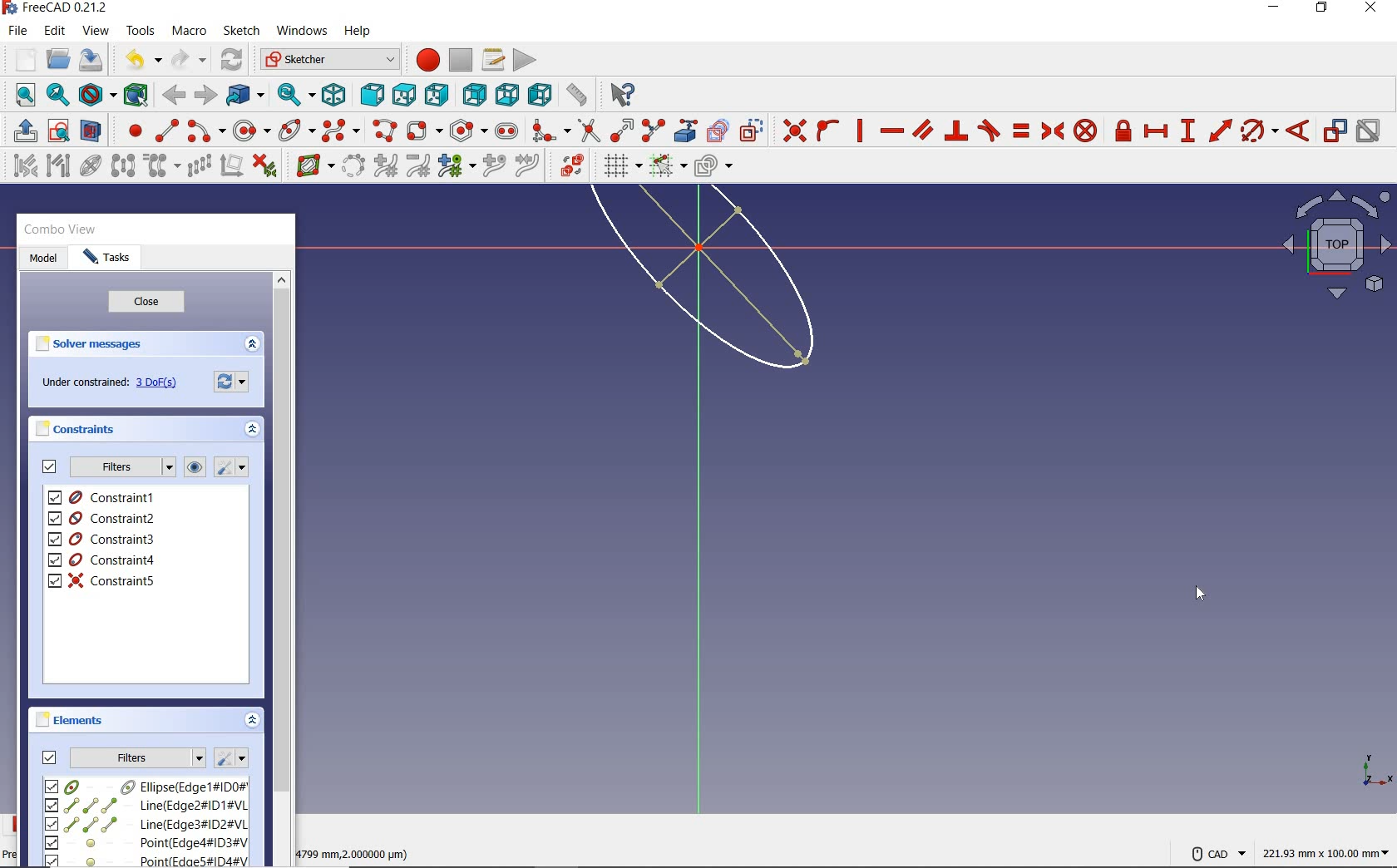  I want to click on insert knot, so click(495, 166).